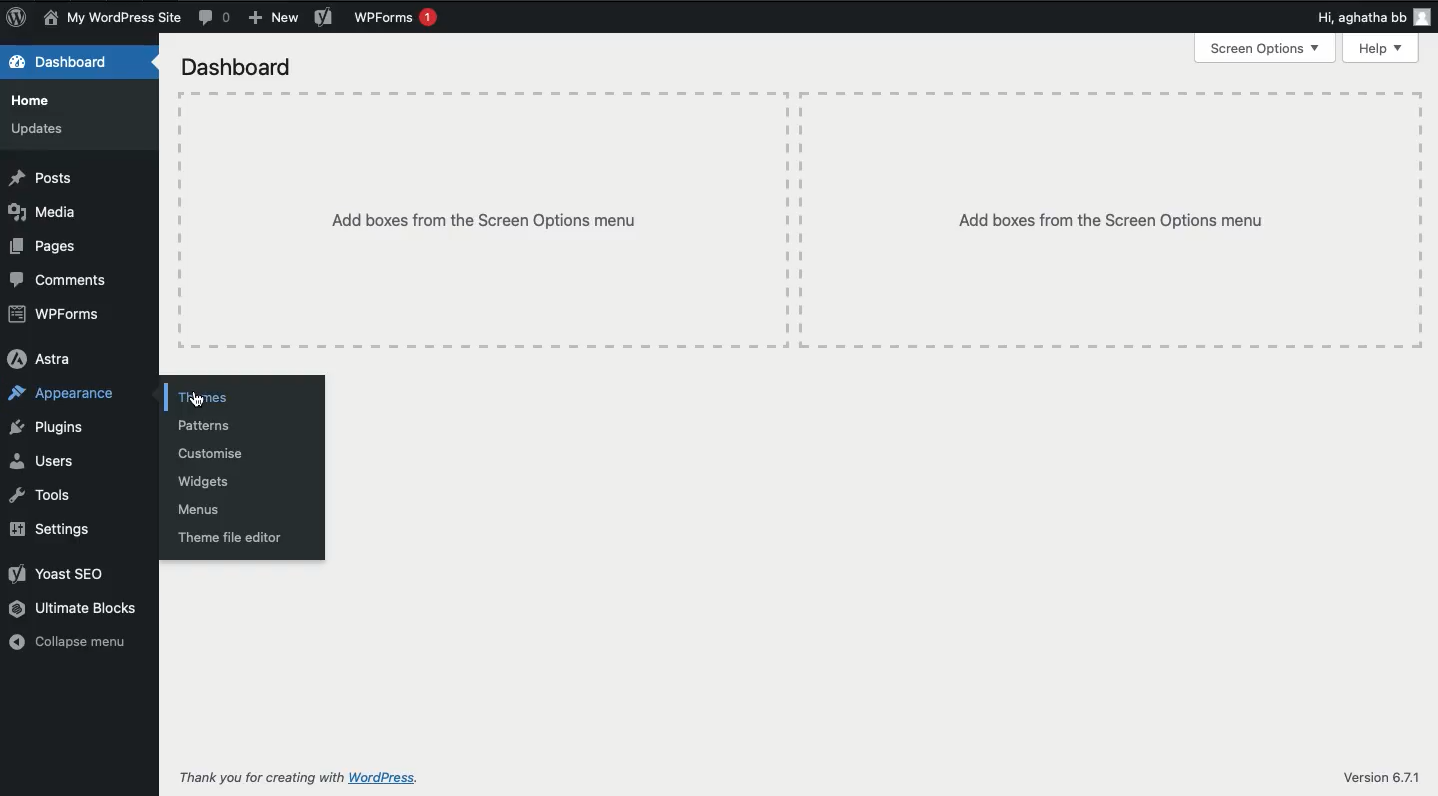 This screenshot has height=796, width=1438. I want to click on Posts, so click(41, 178).